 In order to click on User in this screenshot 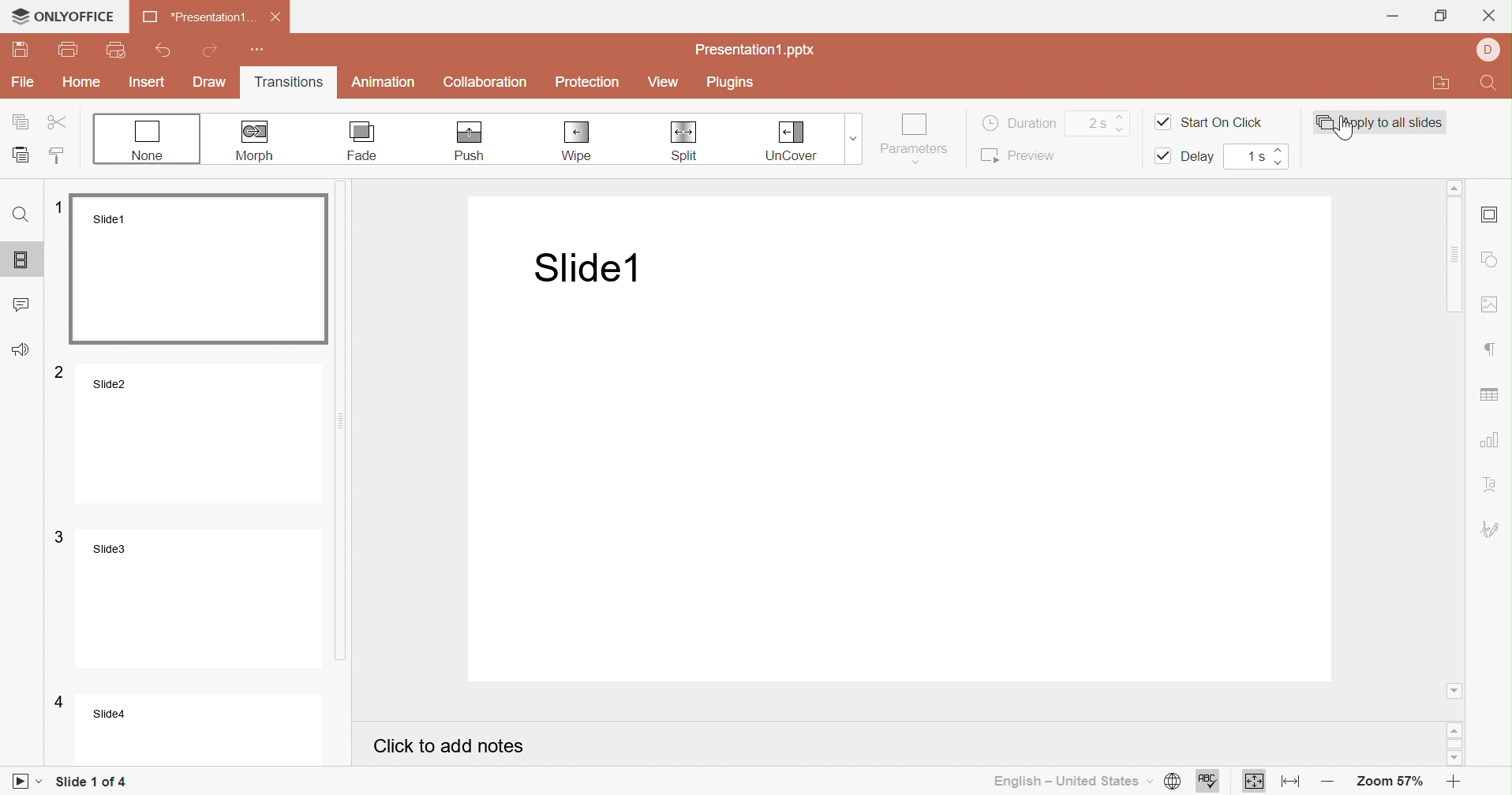, I will do `click(1491, 48)`.